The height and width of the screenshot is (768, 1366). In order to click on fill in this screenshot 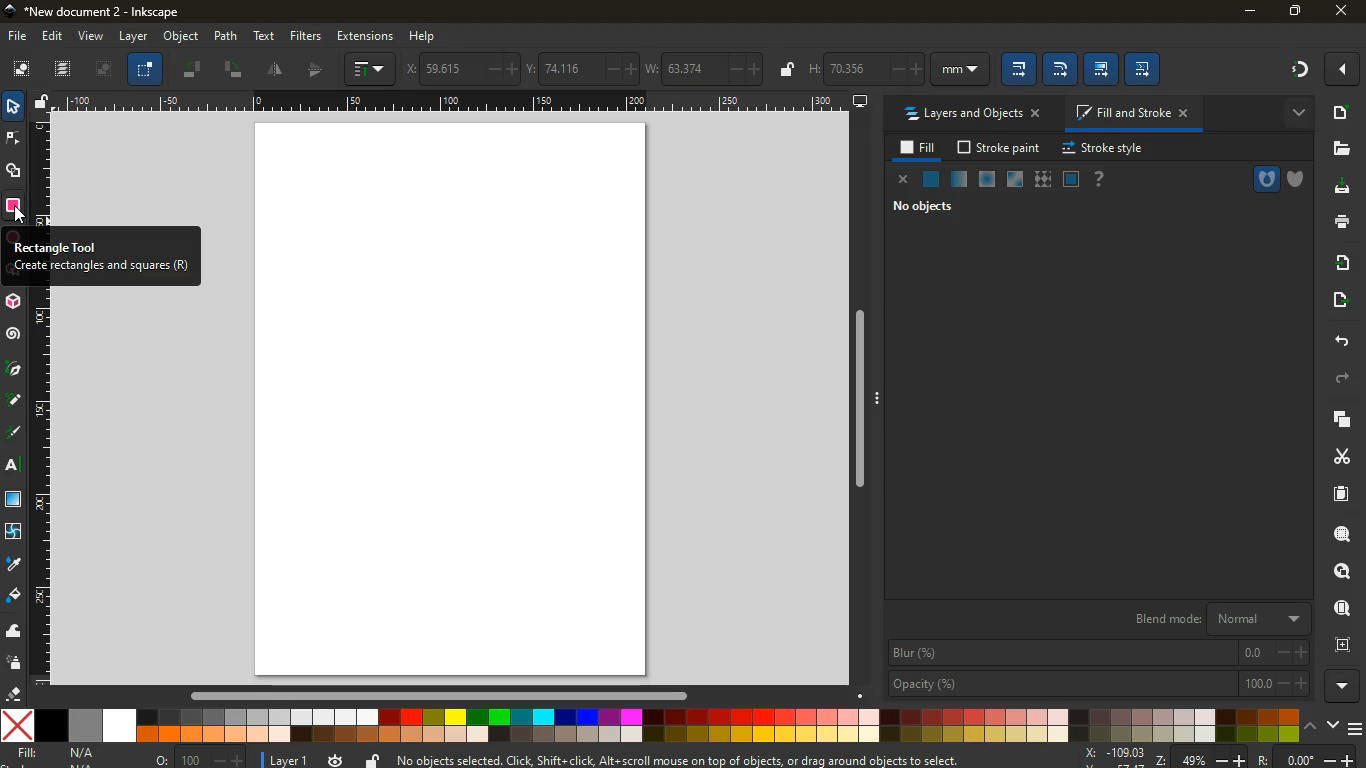, I will do `click(918, 151)`.